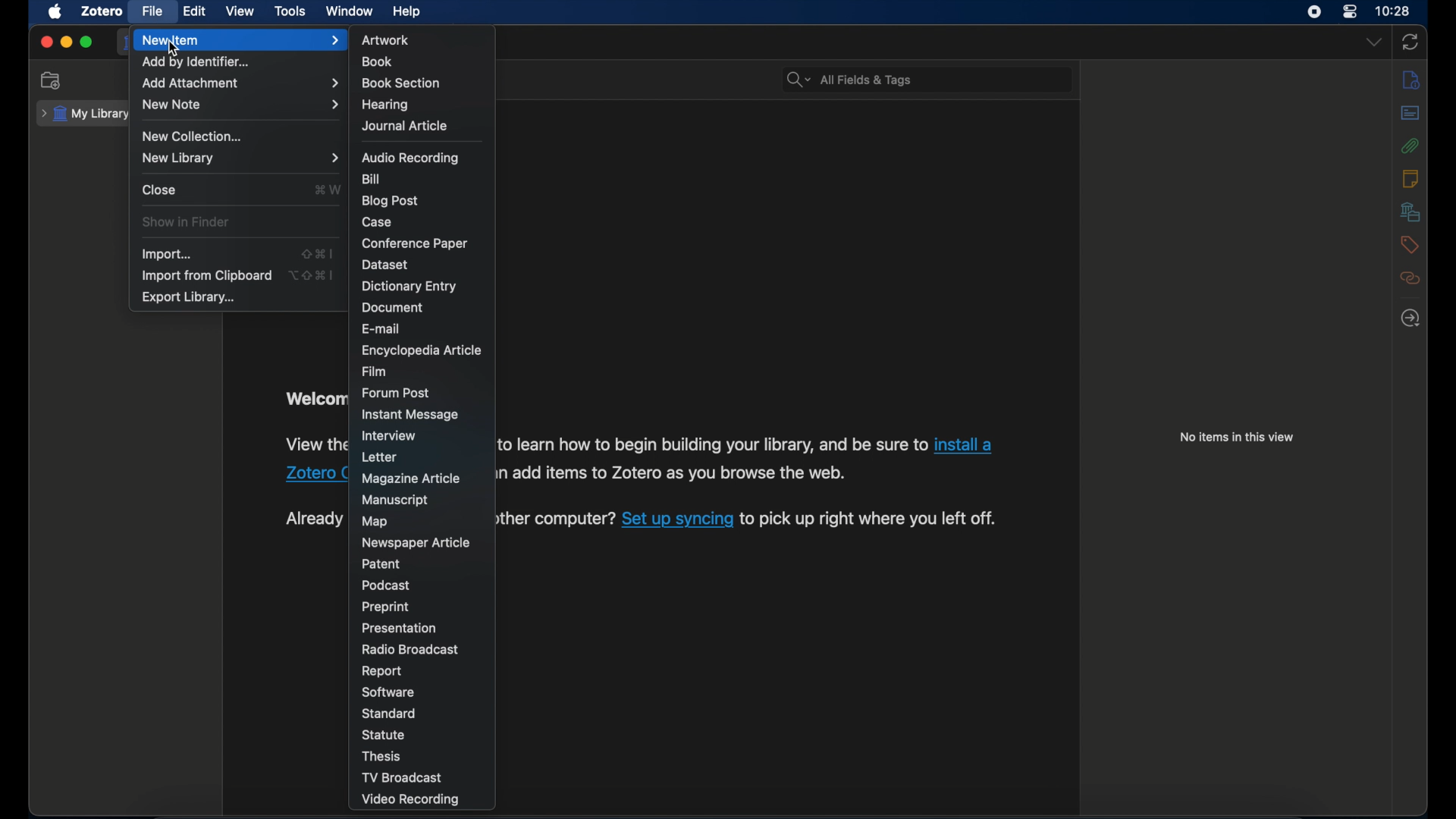 Image resolution: width=1456 pixels, height=819 pixels. What do you see at coordinates (677, 518) in the screenshot?
I see `link` at bounding box center [677, 518].